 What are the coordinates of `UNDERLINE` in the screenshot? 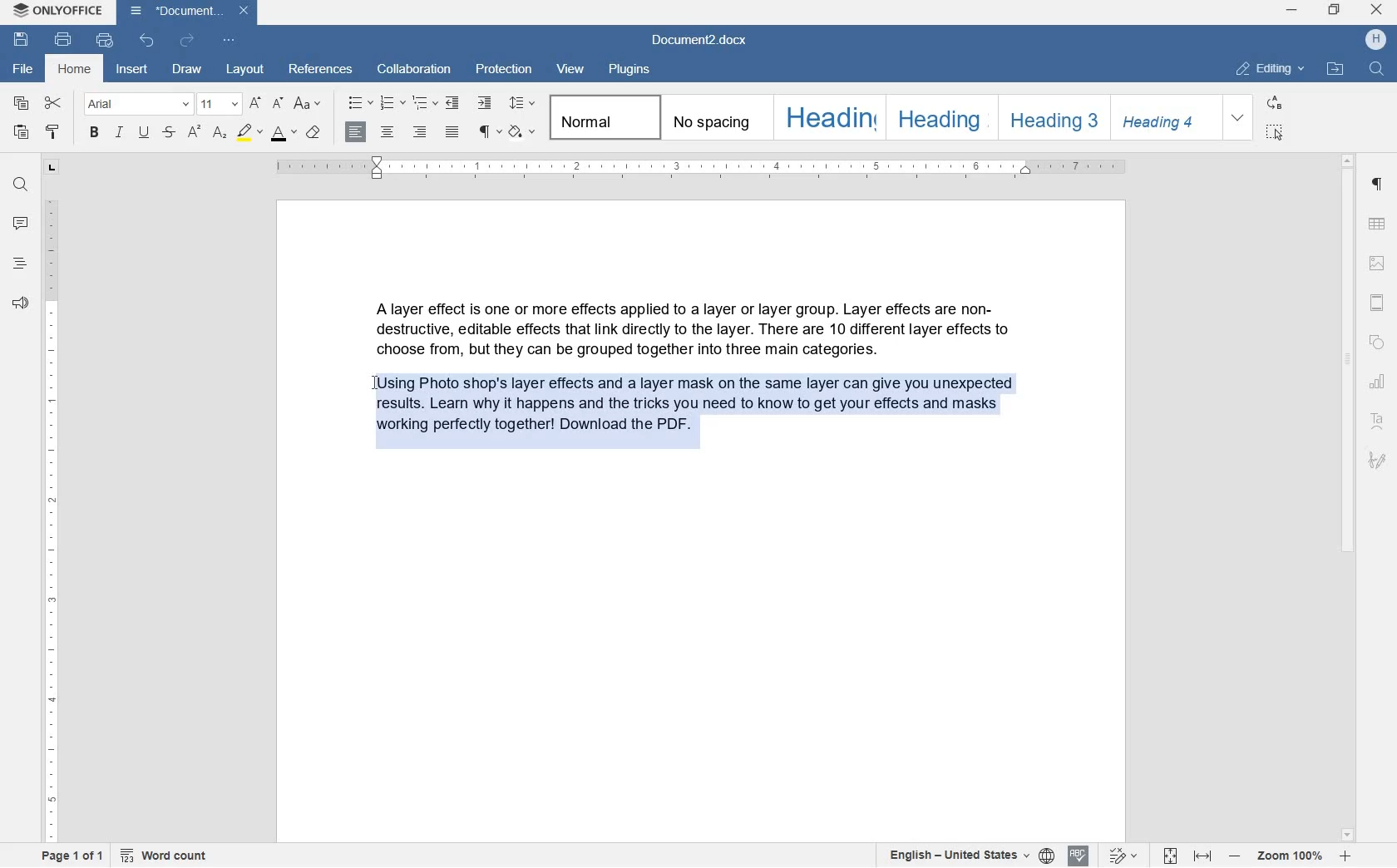 It's located at (146, 133).